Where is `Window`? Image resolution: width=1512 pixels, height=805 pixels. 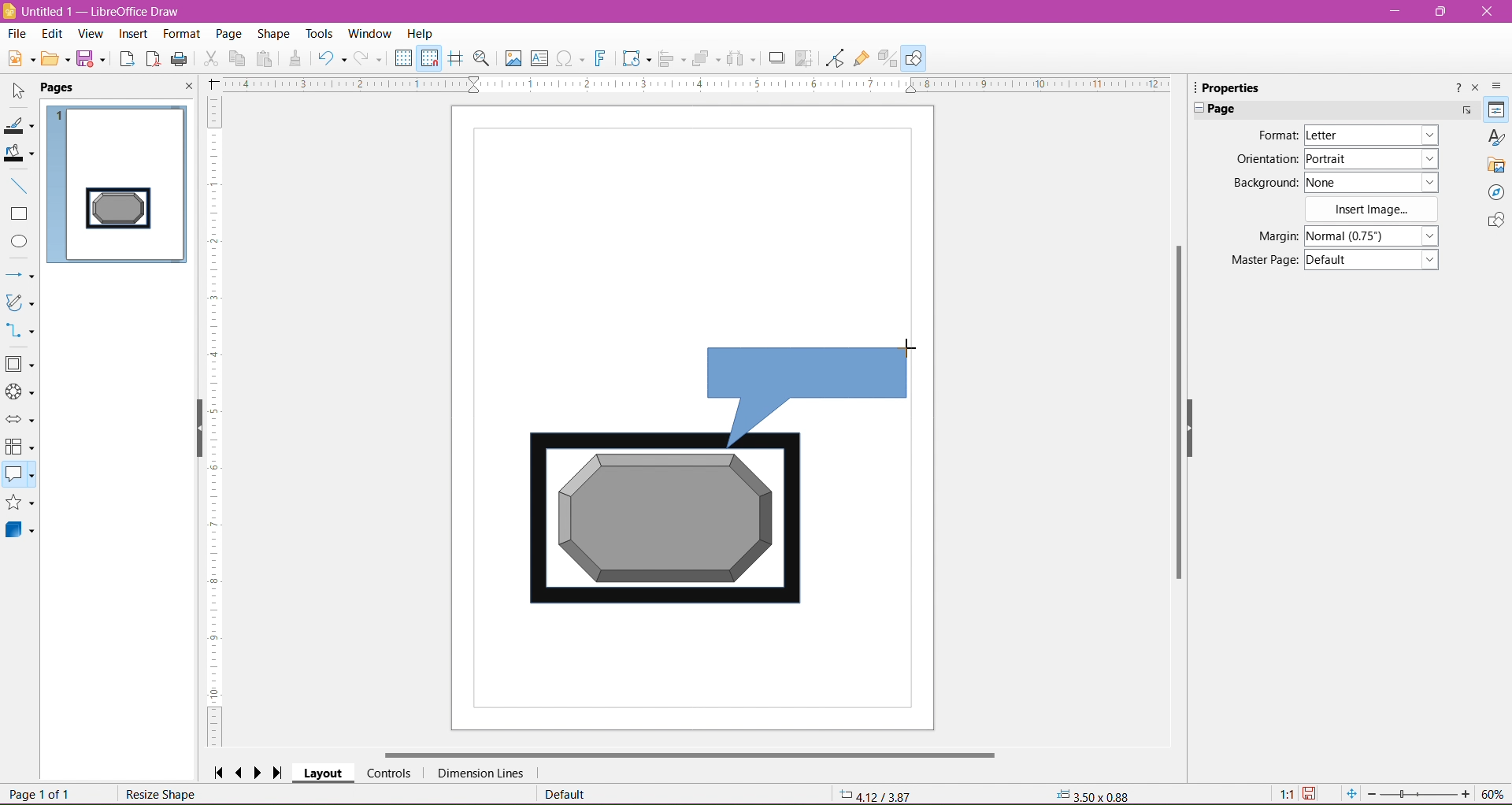
Window is located at coordinates (372, 32).